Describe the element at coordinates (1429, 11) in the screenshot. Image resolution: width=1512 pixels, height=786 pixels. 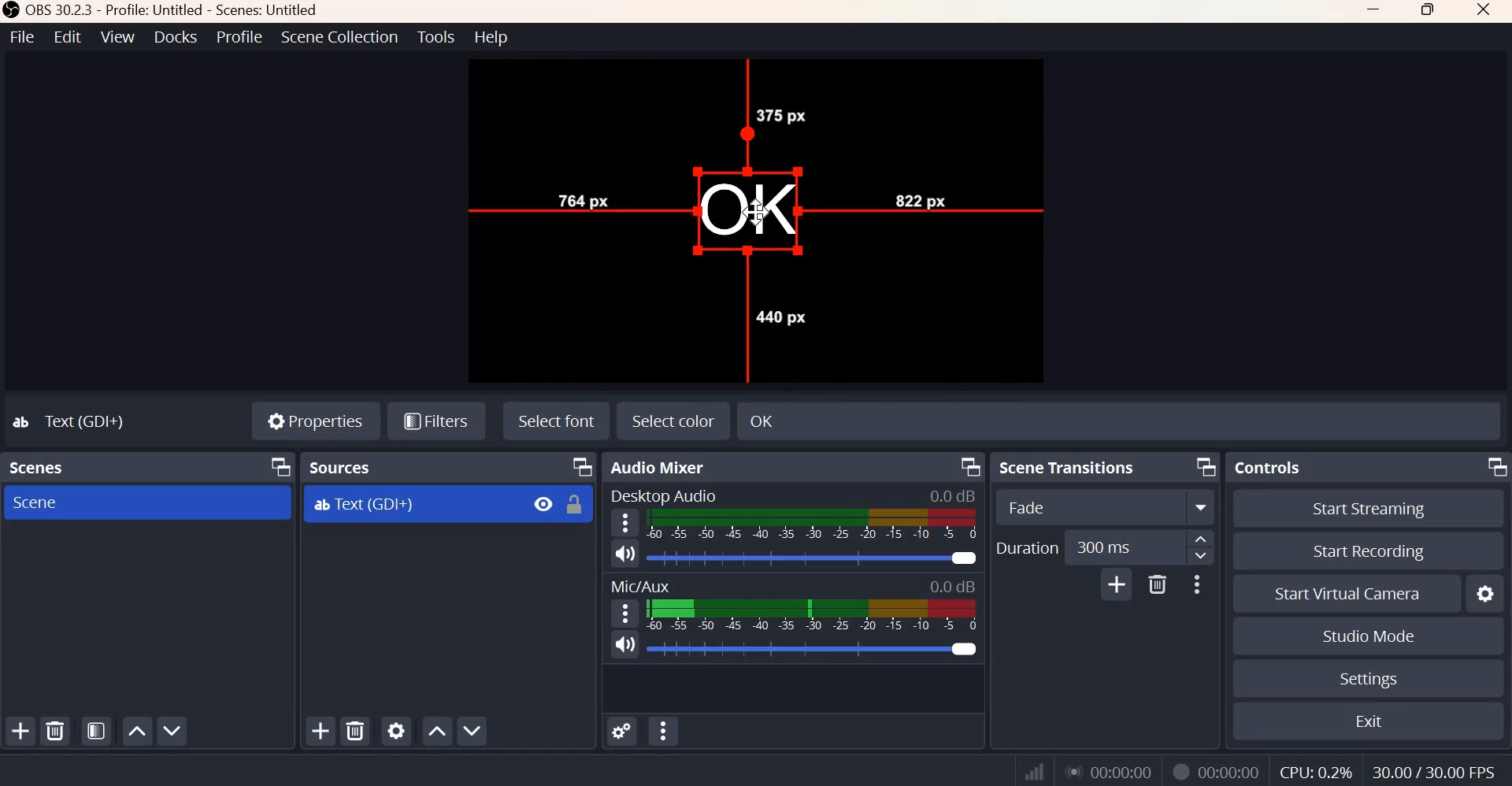
I see `Maximize` at that location.